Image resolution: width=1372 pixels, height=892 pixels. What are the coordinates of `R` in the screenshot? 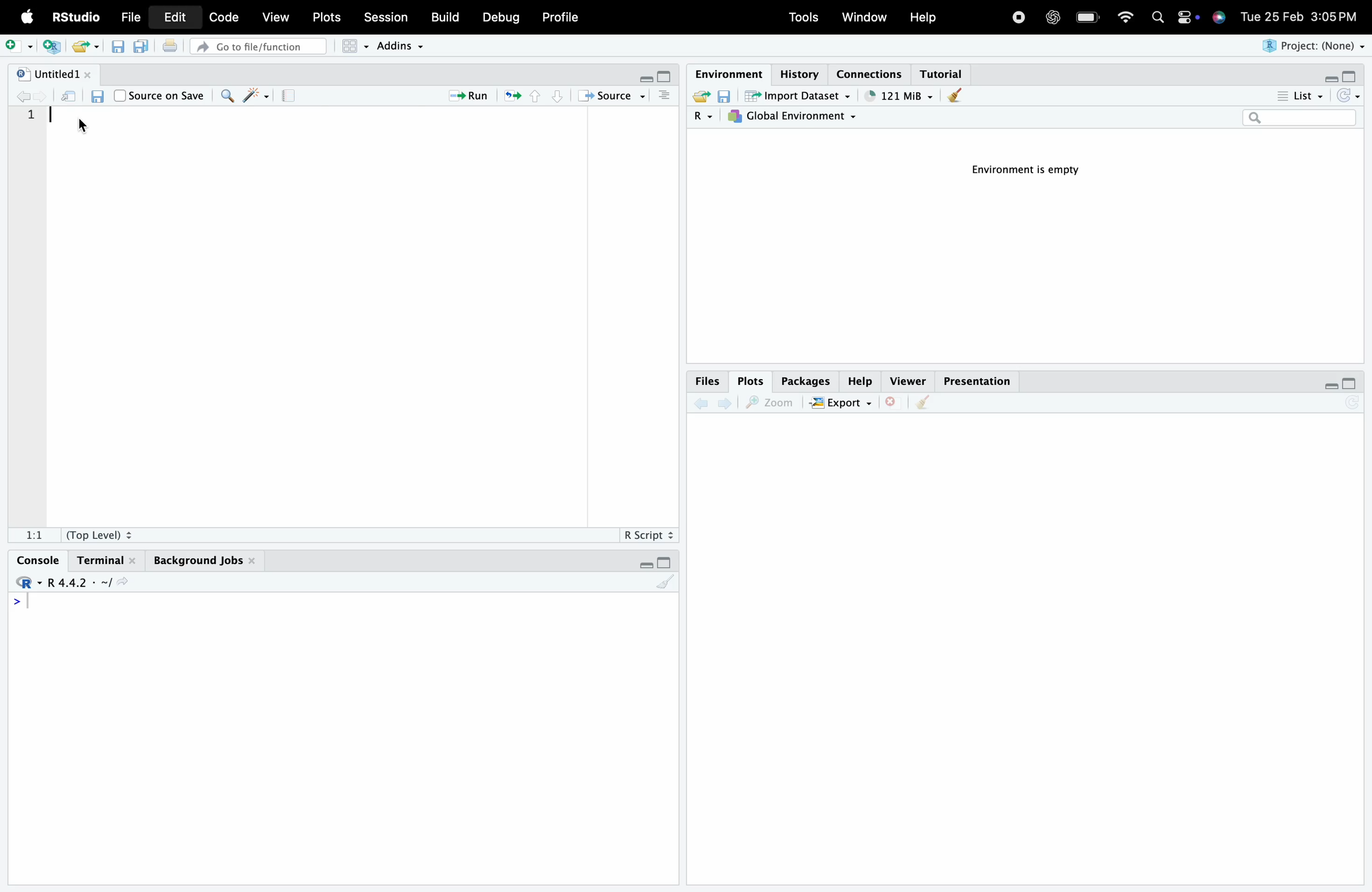 It's located at (705, 117).